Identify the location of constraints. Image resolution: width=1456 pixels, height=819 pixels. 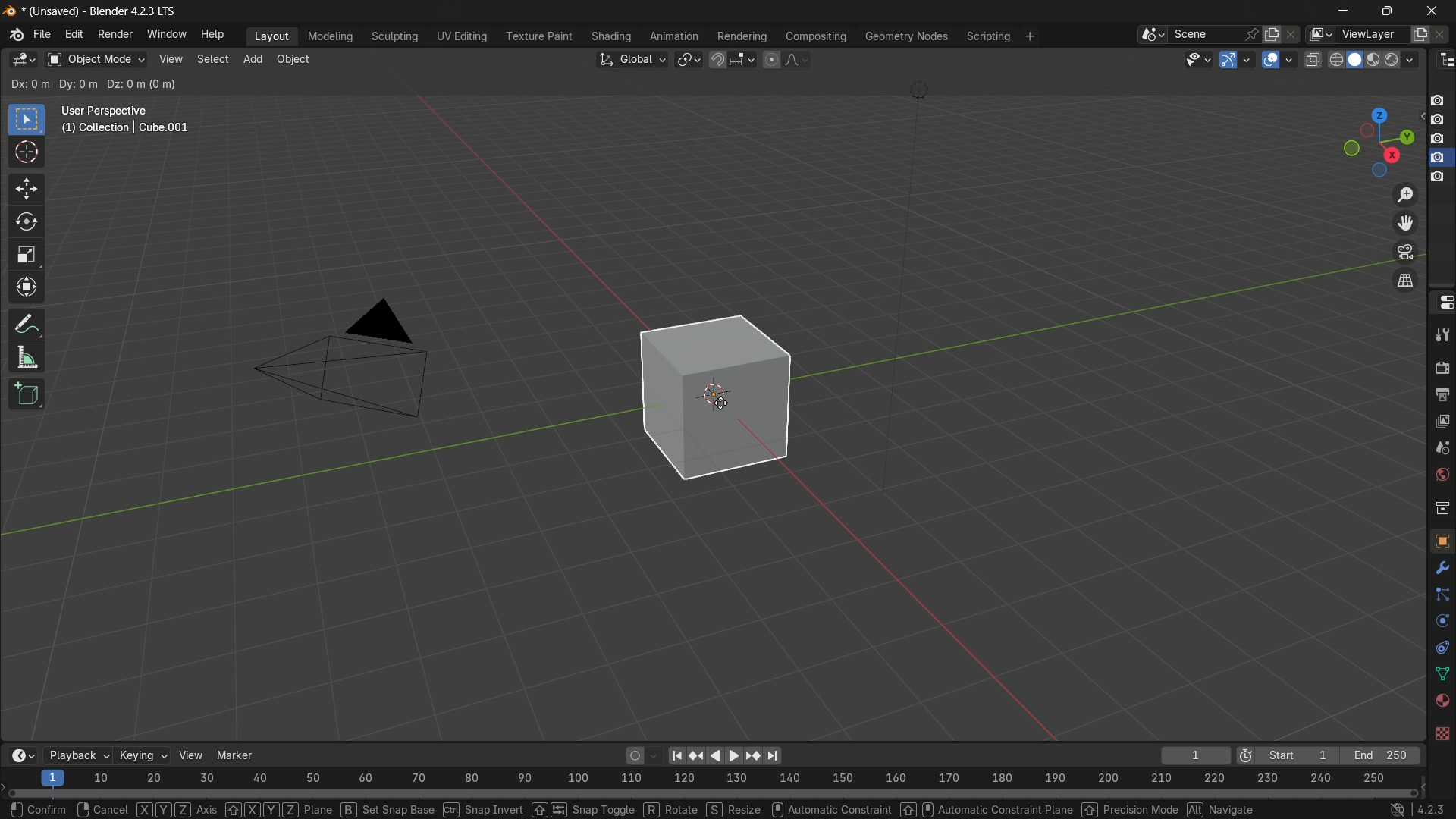
(1442, 648).